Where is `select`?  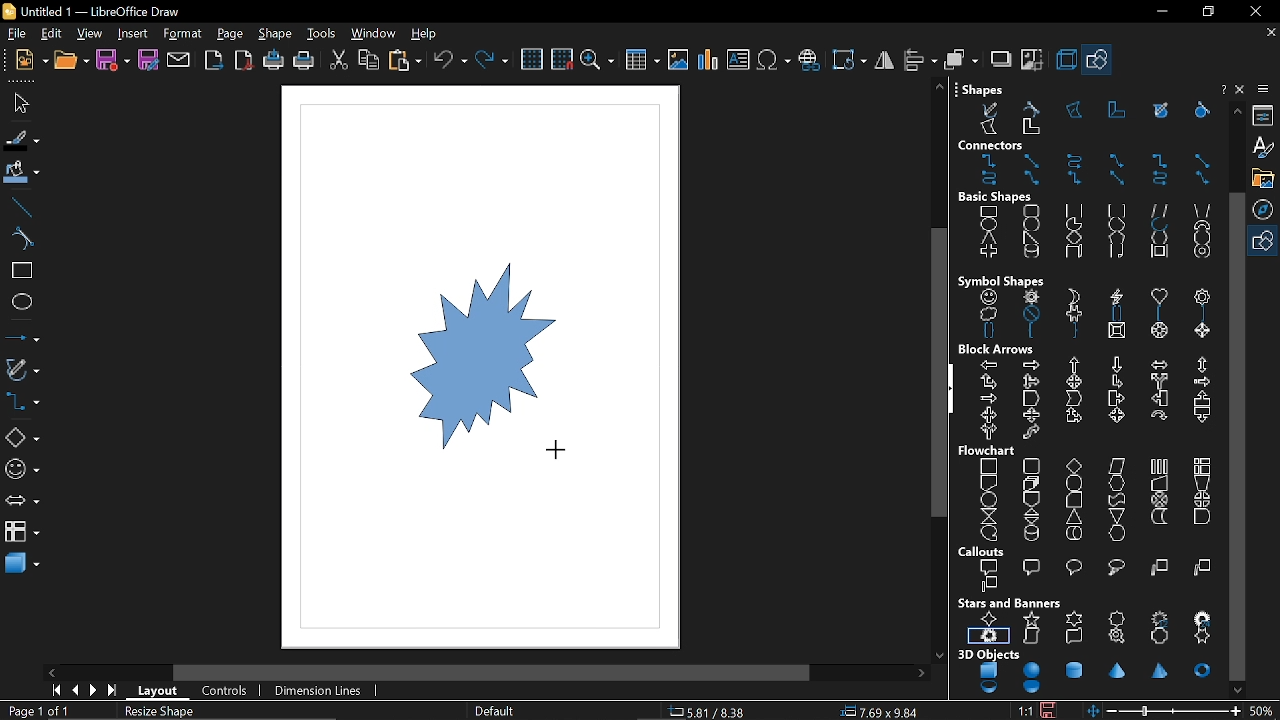 select is located at coordinates (18, 103).